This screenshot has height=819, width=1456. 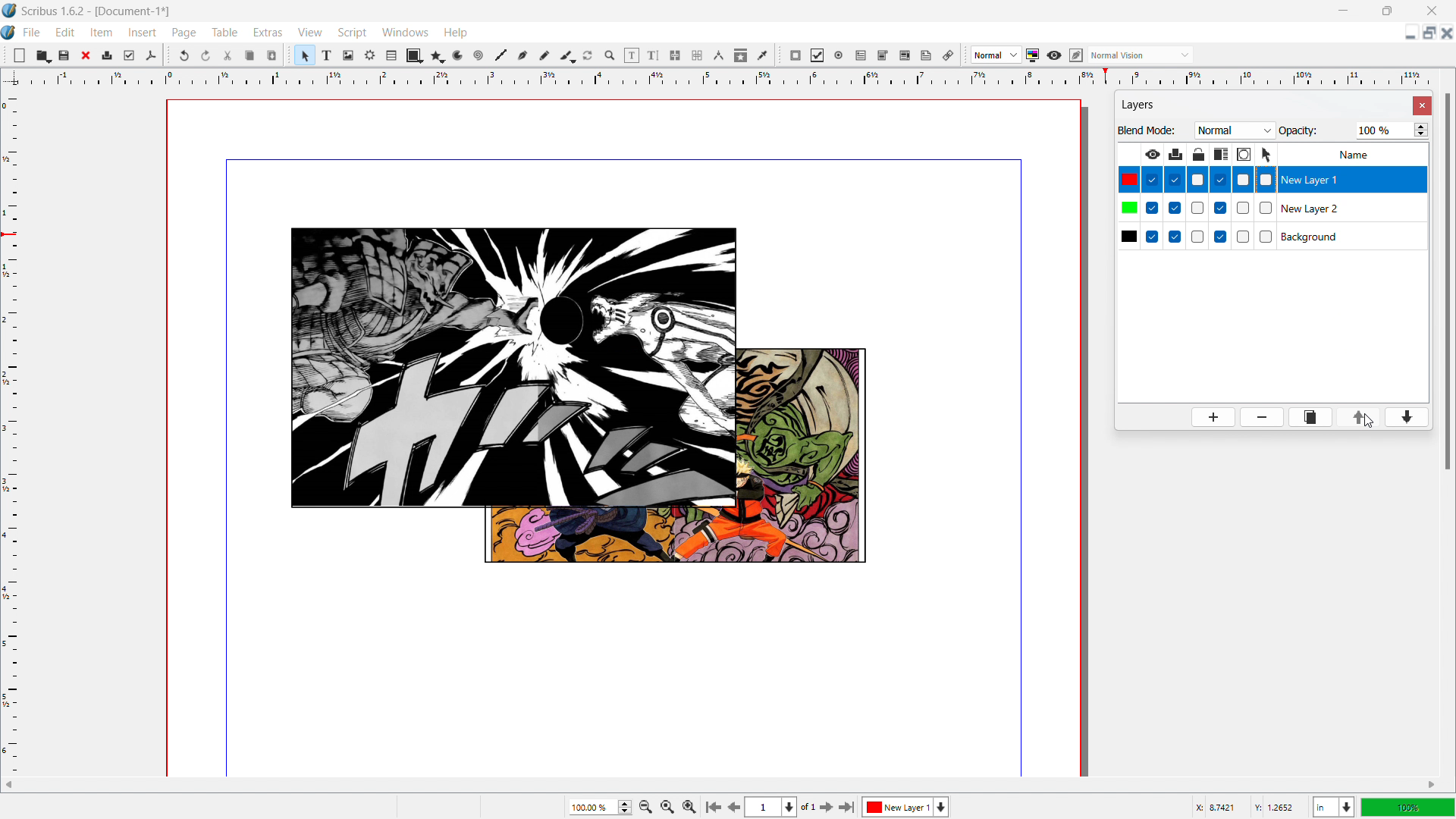 What do you see at coordinates (1032, 55) in the screenshot?
I see `toggle color management system` at bounding box center [1032, 55].